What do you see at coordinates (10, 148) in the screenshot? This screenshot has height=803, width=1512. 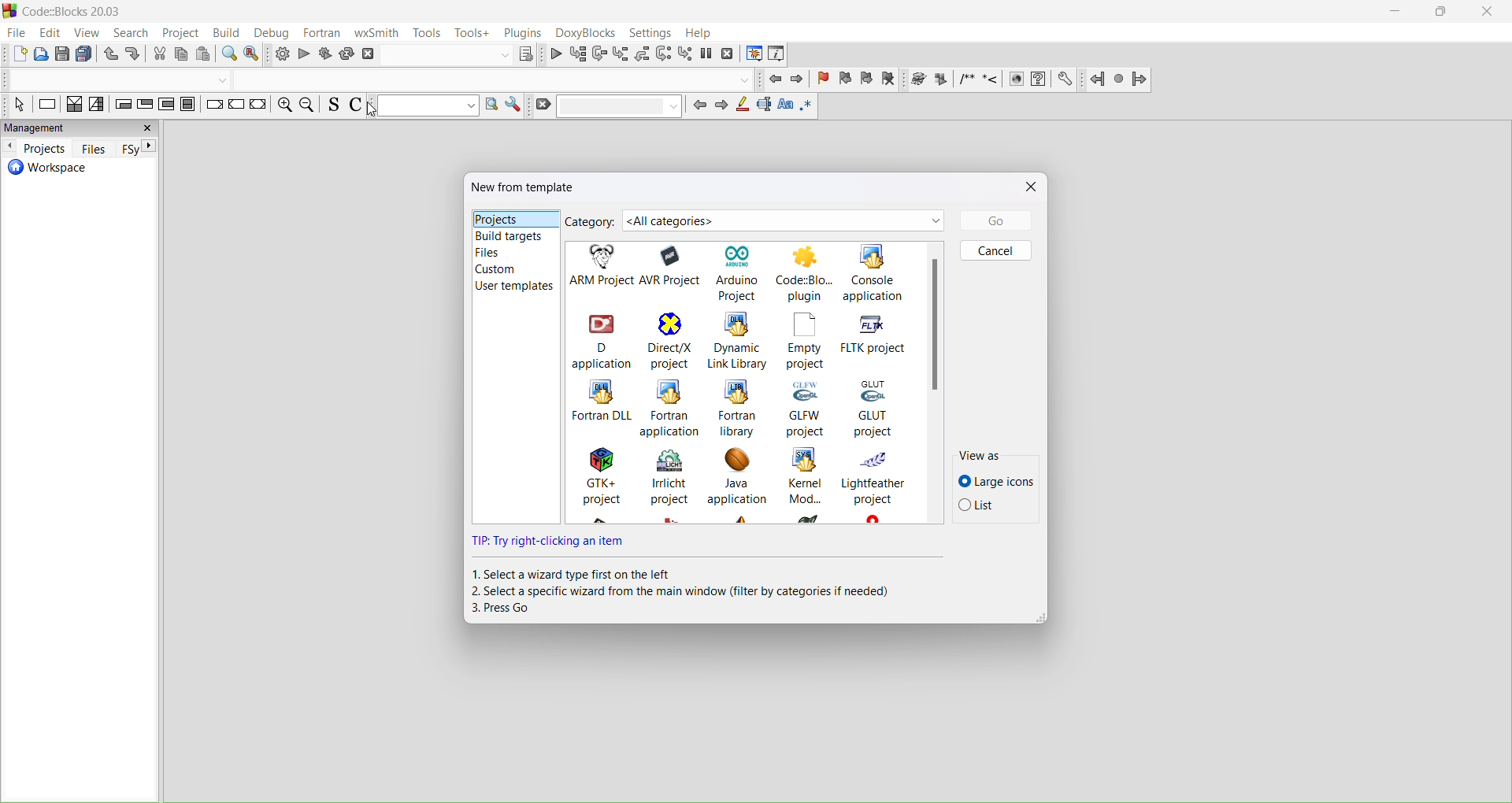 I see `previous` at bounding box center [10, 148].